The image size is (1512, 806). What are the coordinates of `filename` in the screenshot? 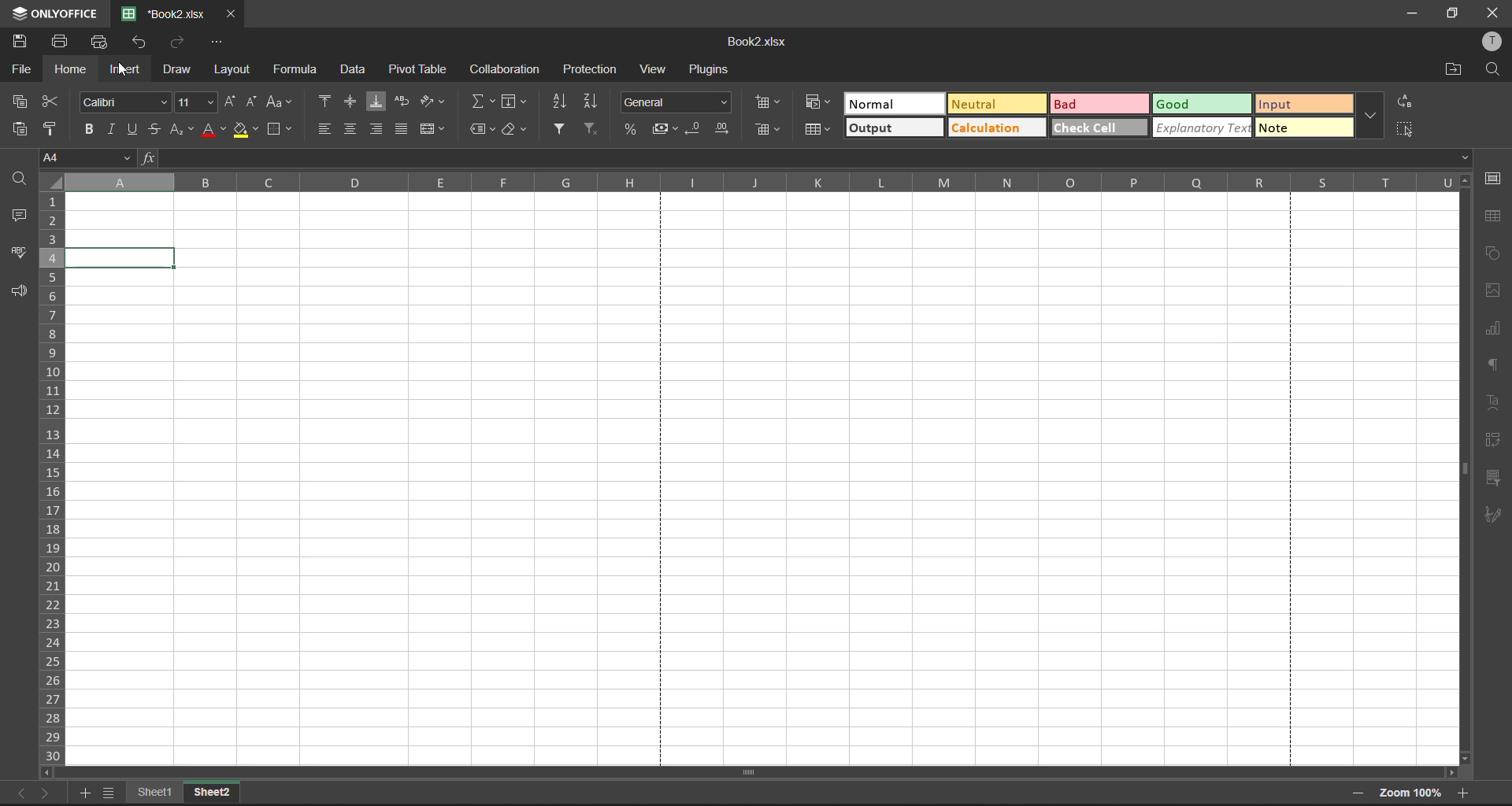 It's located at (165, 13).